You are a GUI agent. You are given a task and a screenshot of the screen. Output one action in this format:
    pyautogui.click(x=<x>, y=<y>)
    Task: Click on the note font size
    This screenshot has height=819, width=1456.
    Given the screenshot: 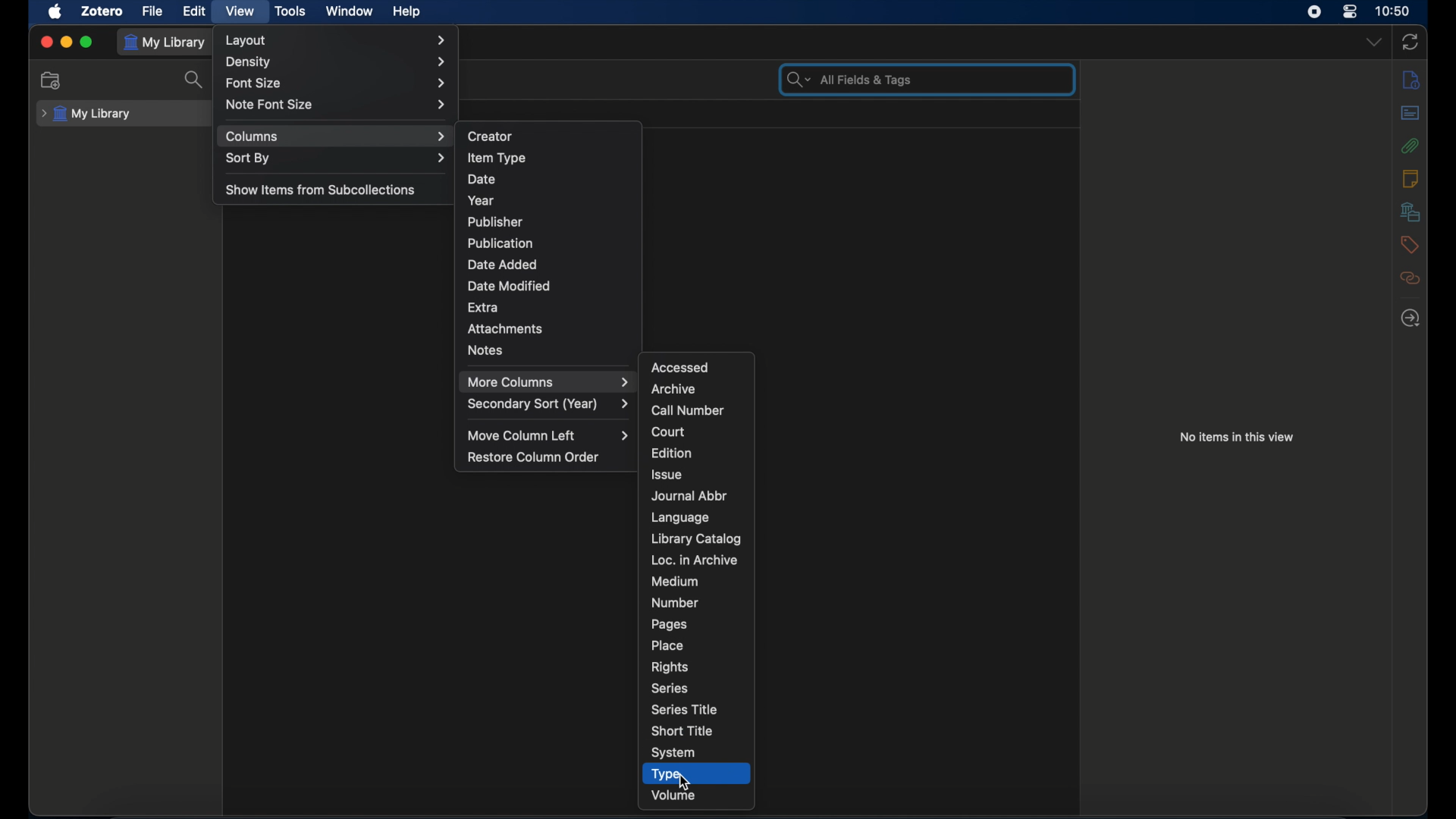 What is the action you would take?
    pyautogui.click(x=337, y=105)
    